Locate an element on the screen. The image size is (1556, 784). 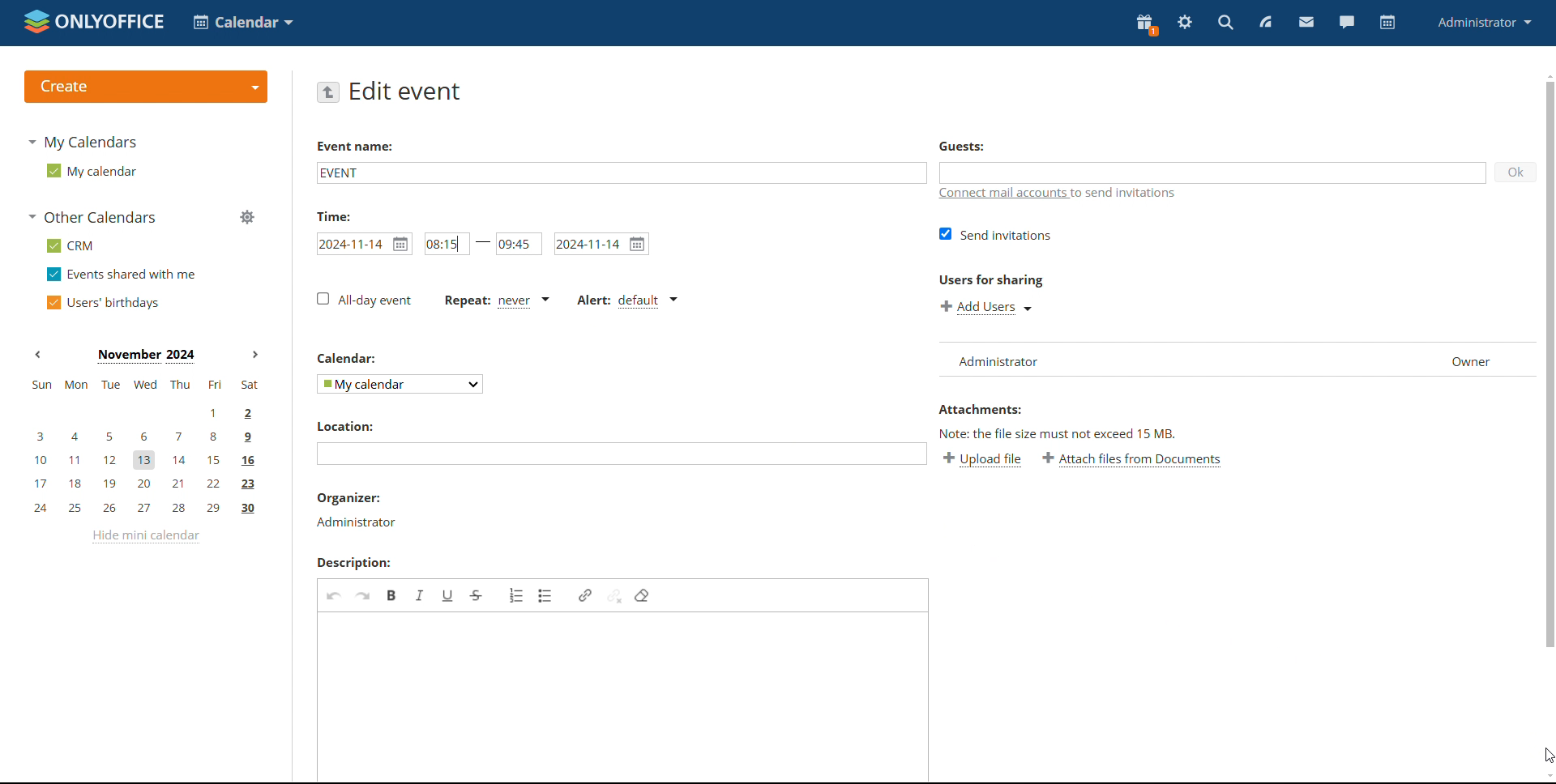
connect mail accounts is located at coordinates (1058, 194).